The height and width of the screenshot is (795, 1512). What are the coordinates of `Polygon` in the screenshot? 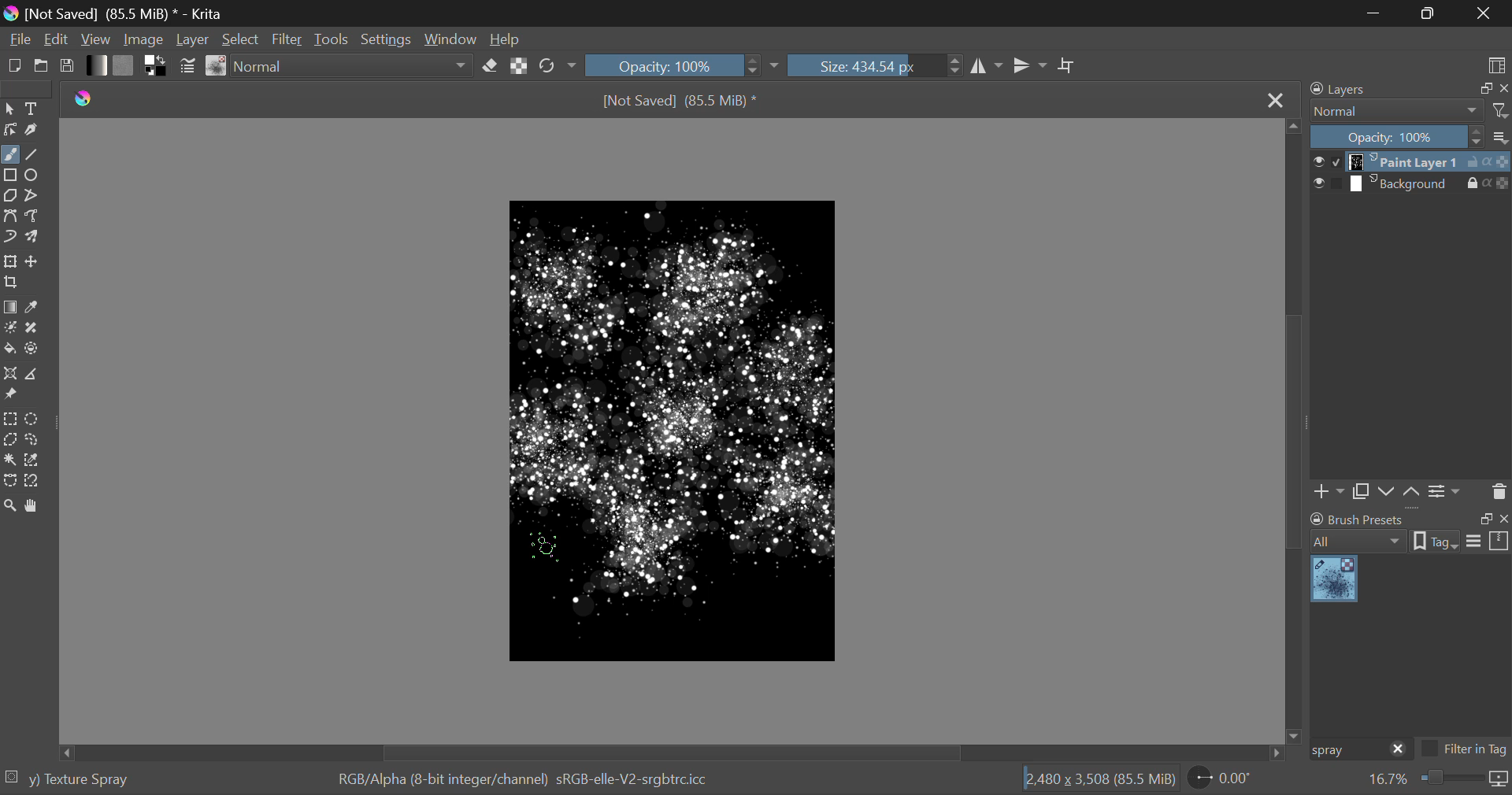 It's located at (11, 197).